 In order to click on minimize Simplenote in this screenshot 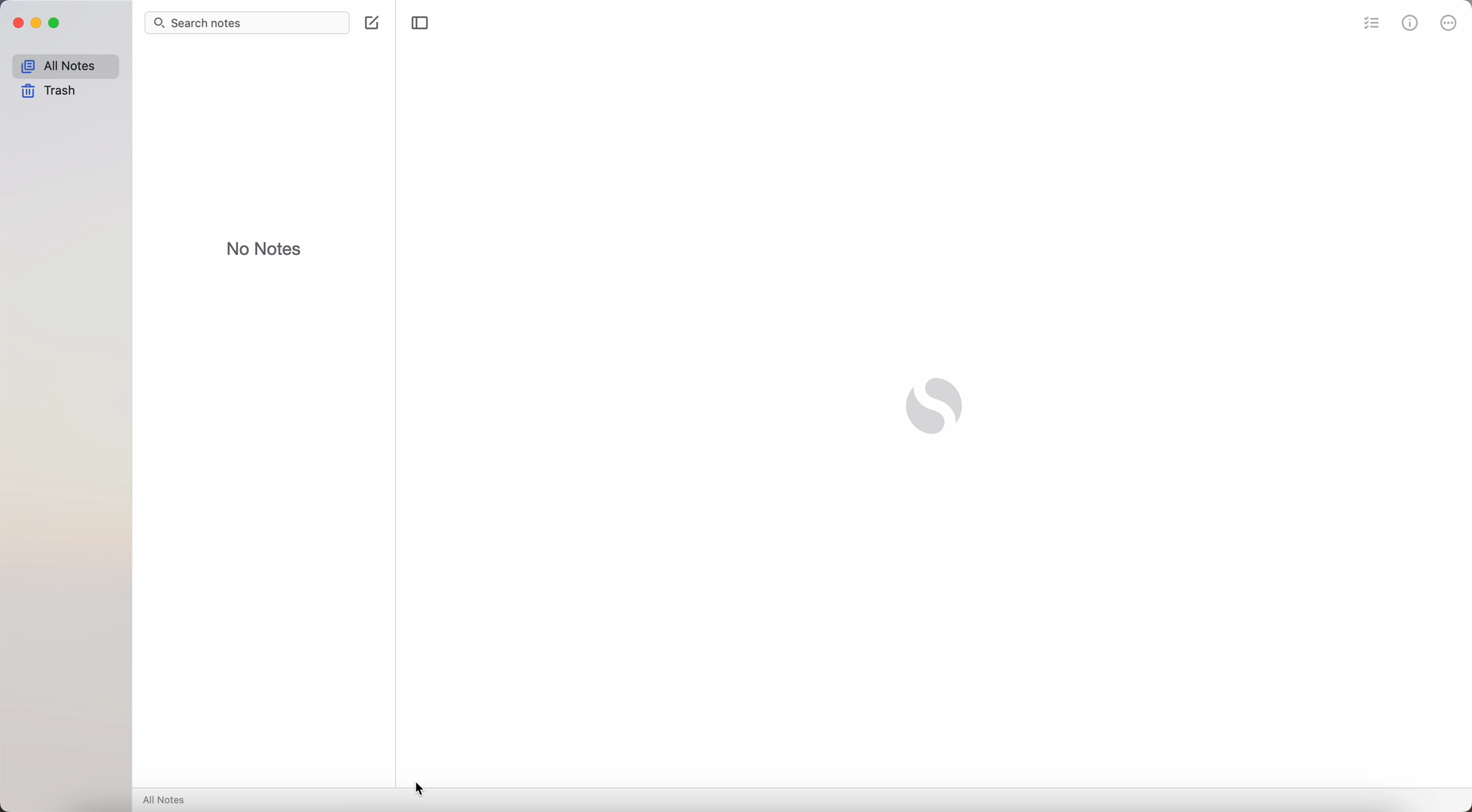, I will do `click(38, 23)`.